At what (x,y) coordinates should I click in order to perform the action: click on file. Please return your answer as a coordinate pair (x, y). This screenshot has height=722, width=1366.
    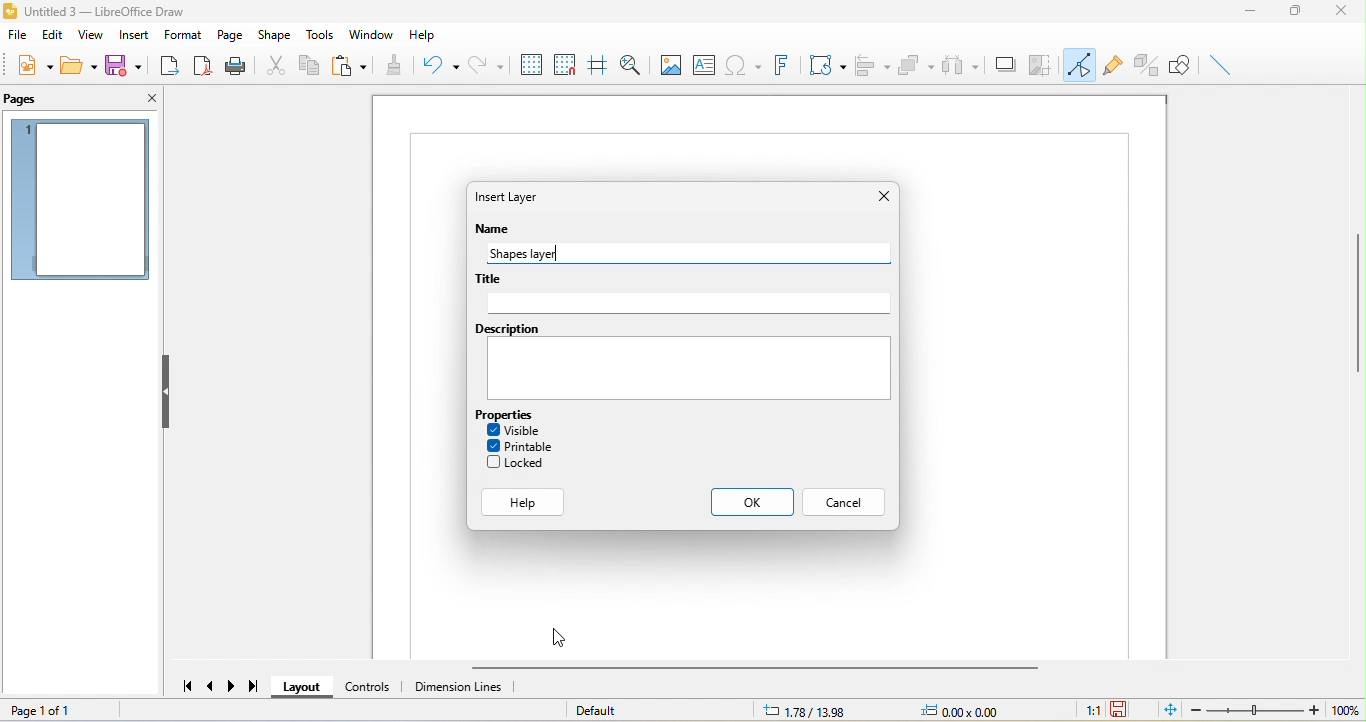
    Looking at the image, I should click on (17, 36).